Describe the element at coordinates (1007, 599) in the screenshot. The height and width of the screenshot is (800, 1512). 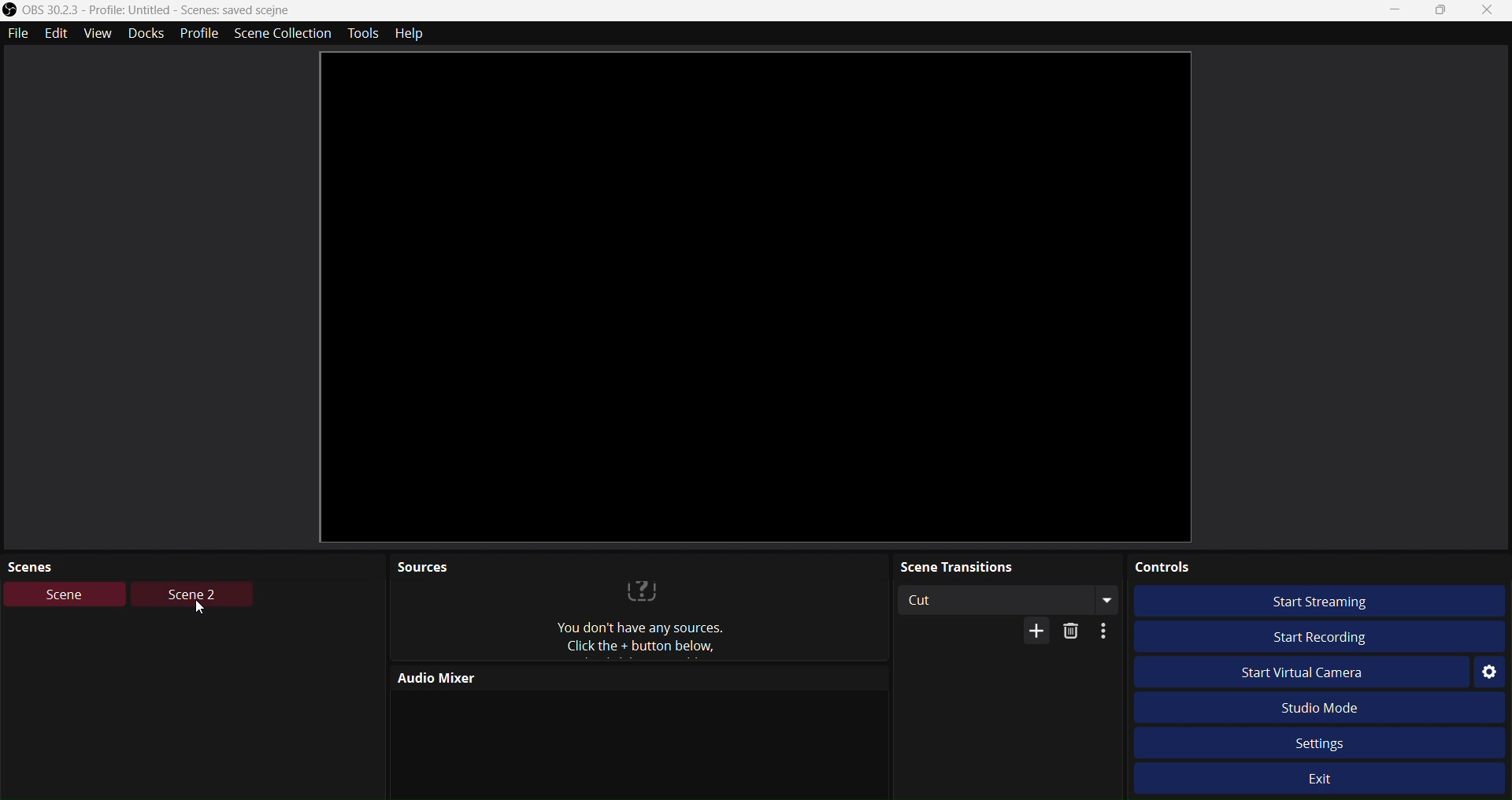
I see `Cut` at that location.